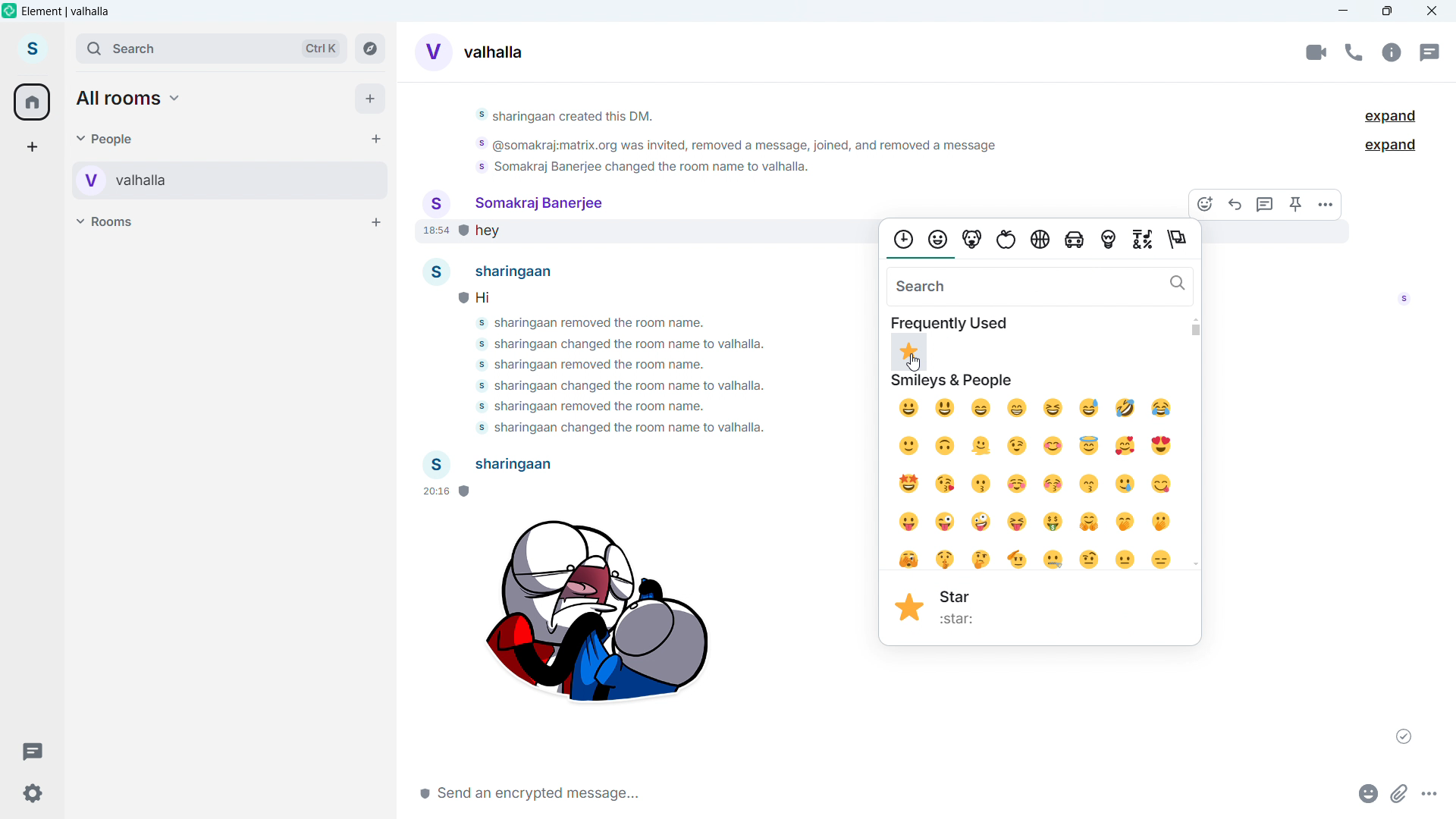 The width and height of the screenshot is (1456, 819). Describe the element at coordinates (1166, 446) in the screenshot. I see `smiling face with heart eyes` at that location.